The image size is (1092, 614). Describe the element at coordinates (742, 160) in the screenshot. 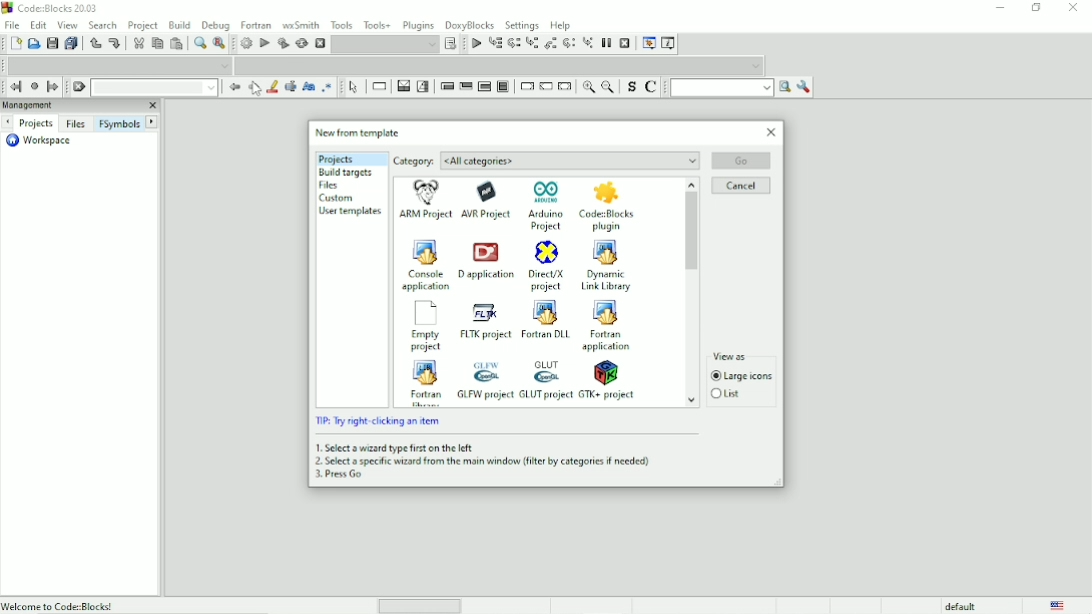

I see `Go` at that location.